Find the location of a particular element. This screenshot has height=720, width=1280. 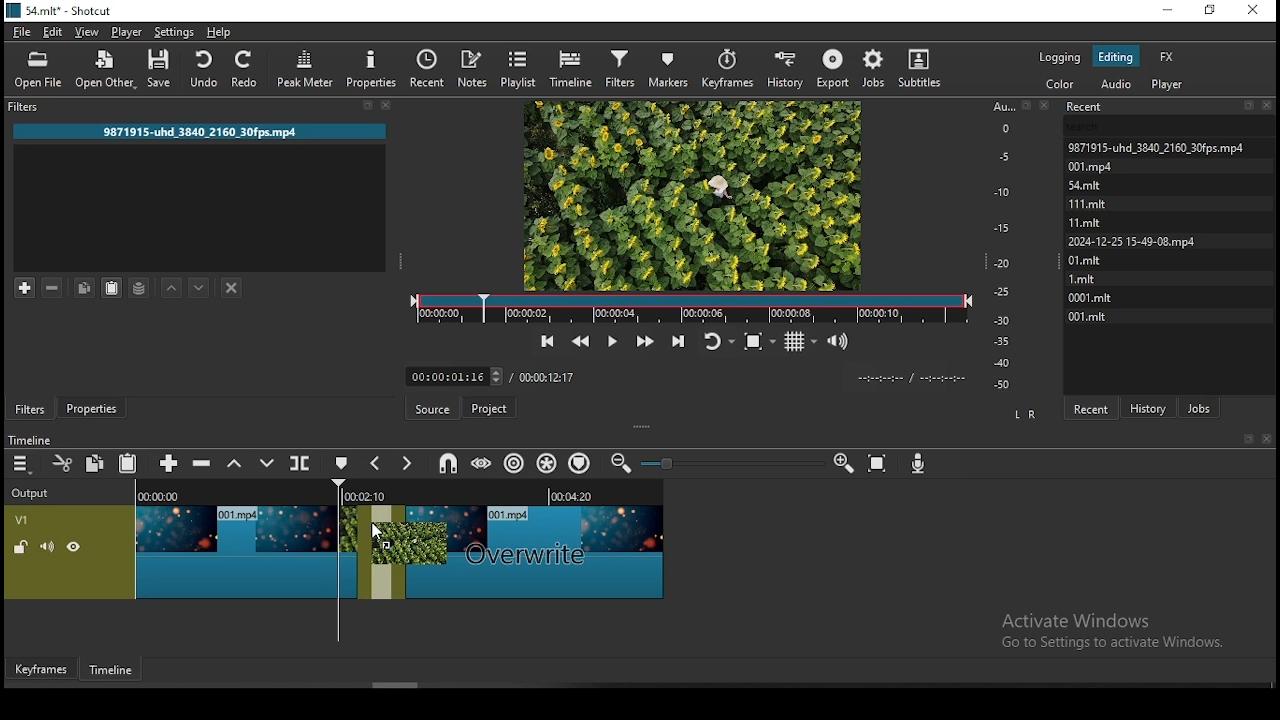

videotrack is located at coordinates (534, 549).